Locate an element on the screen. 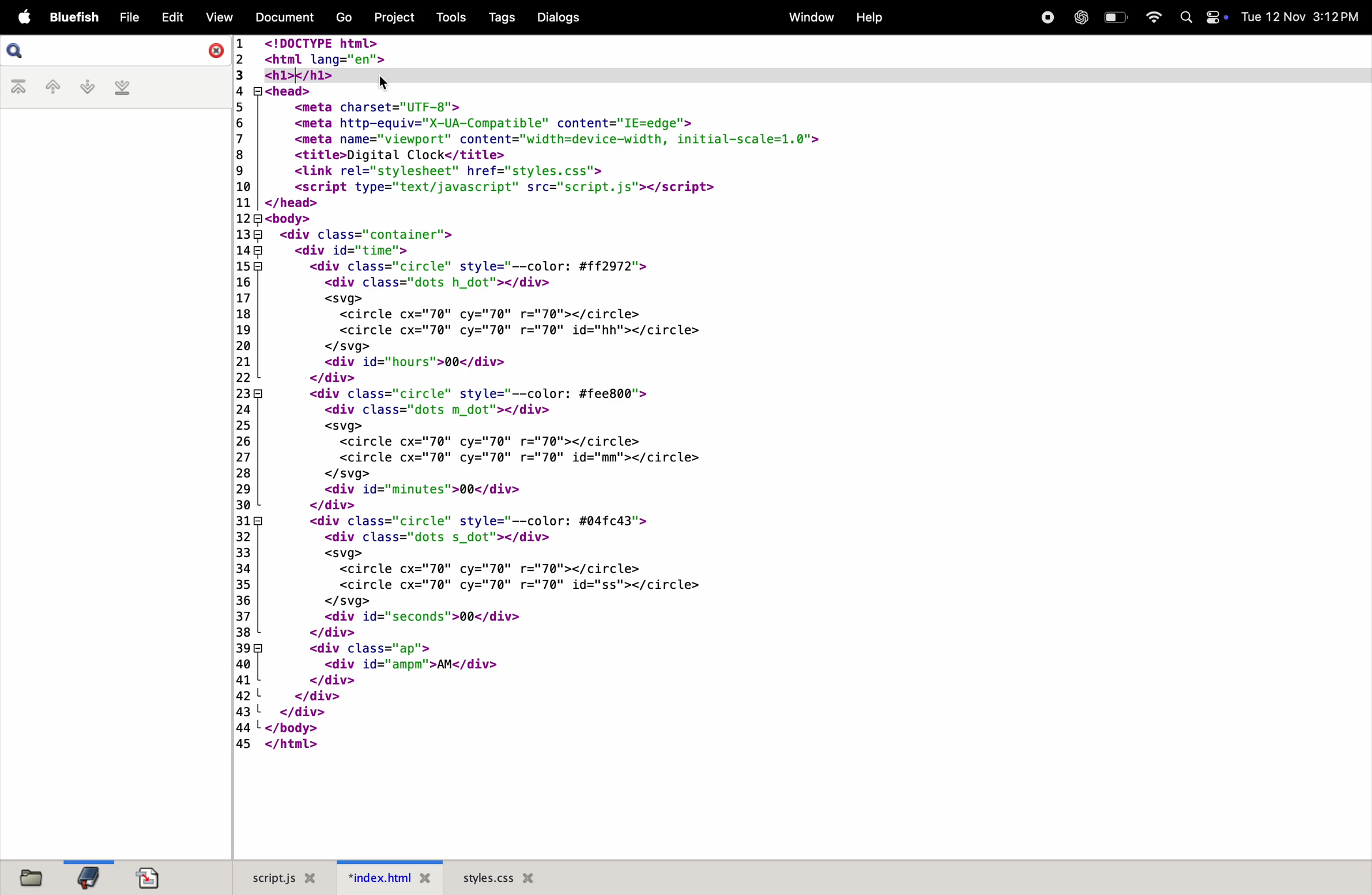 The height and width of the screenshot is (895, 1372). script.js is located at coordinates (277, 878).